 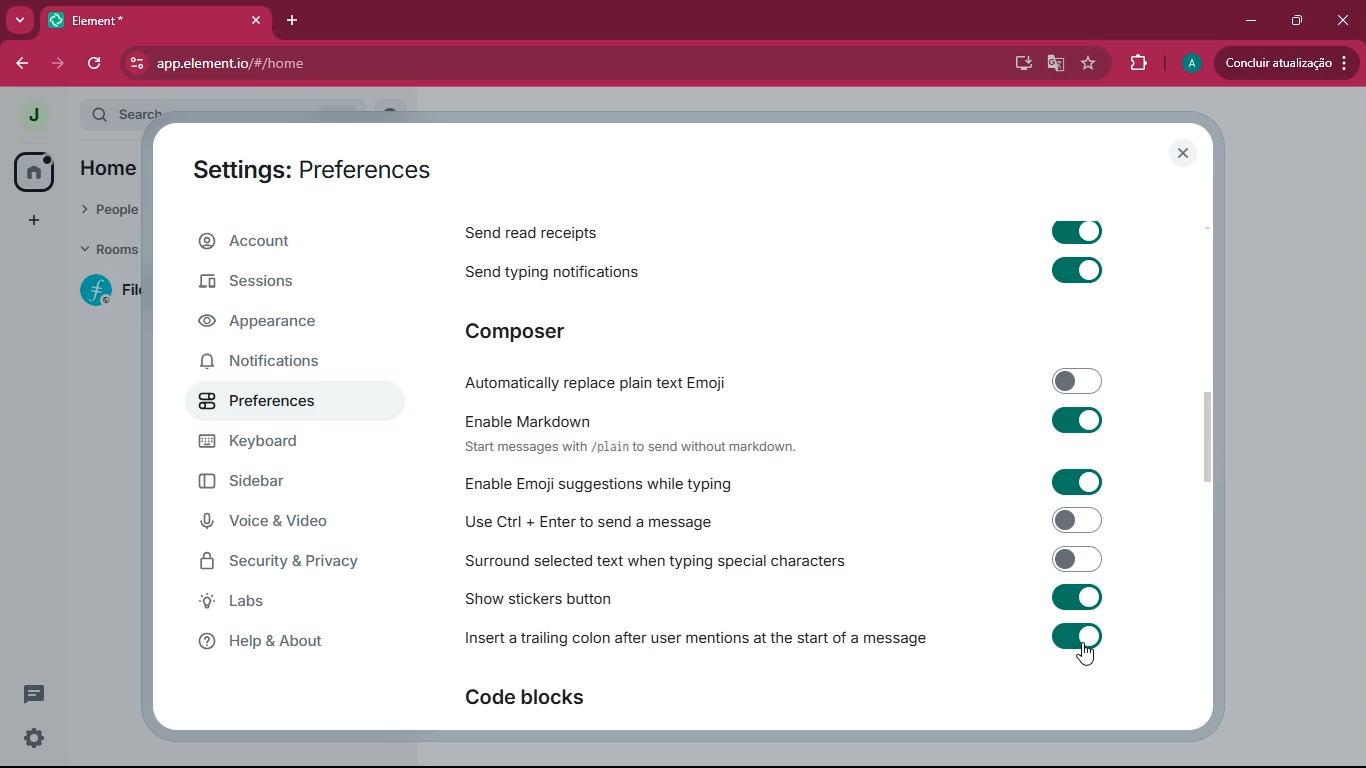 What do you see at coordinates (159, 19) in the screenshot?
I see `element` at bounding box center [159, 19].